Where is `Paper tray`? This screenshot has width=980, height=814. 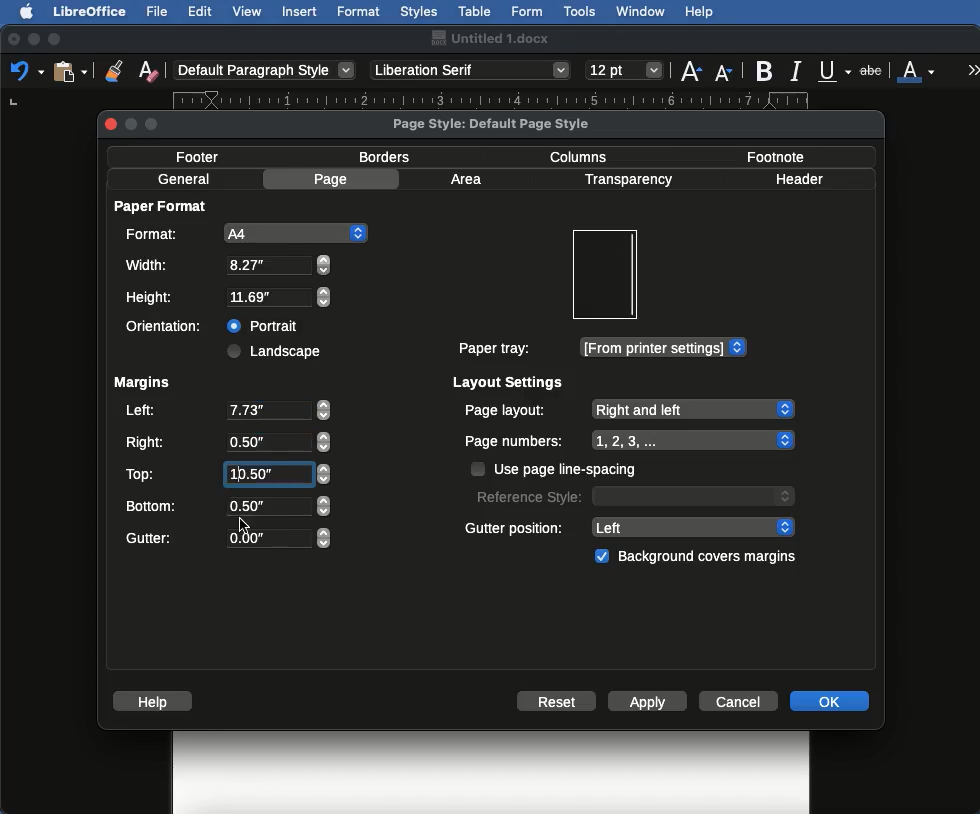 Paper tray is located at coordinates (601, 348).